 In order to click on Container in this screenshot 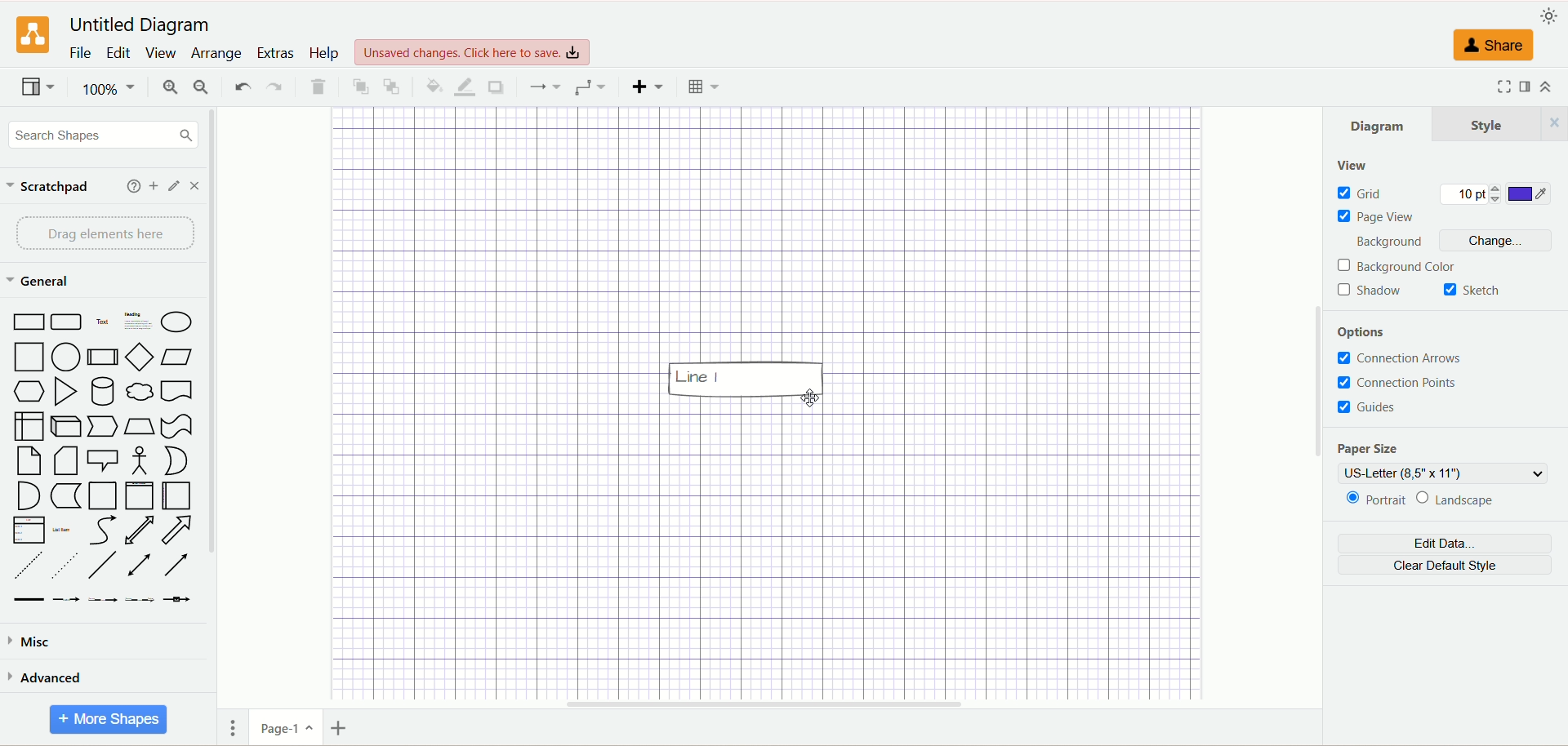, I will do `click(103, 496)`.